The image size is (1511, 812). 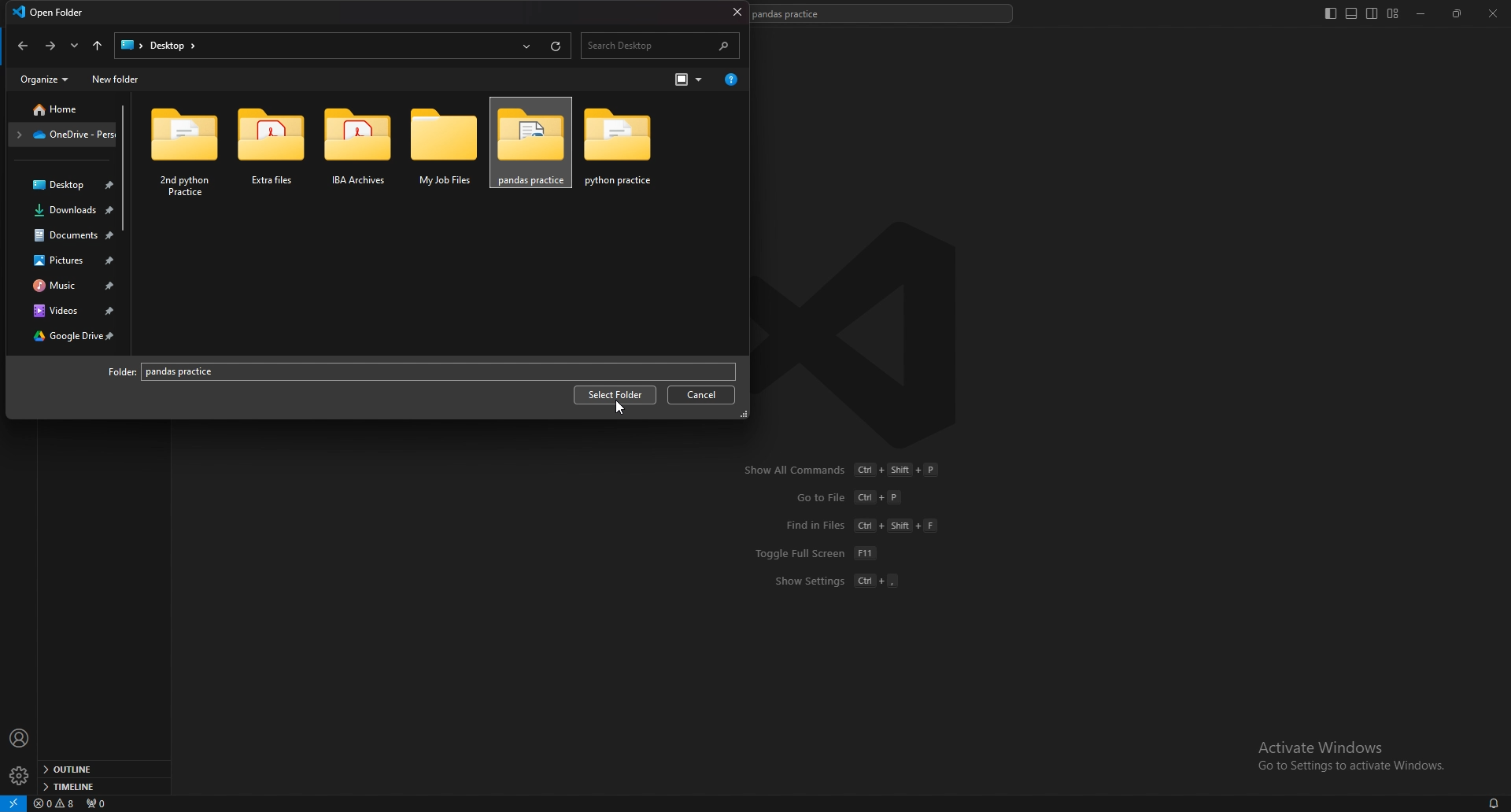 I want to click on settings, so click(x=20, y=776).